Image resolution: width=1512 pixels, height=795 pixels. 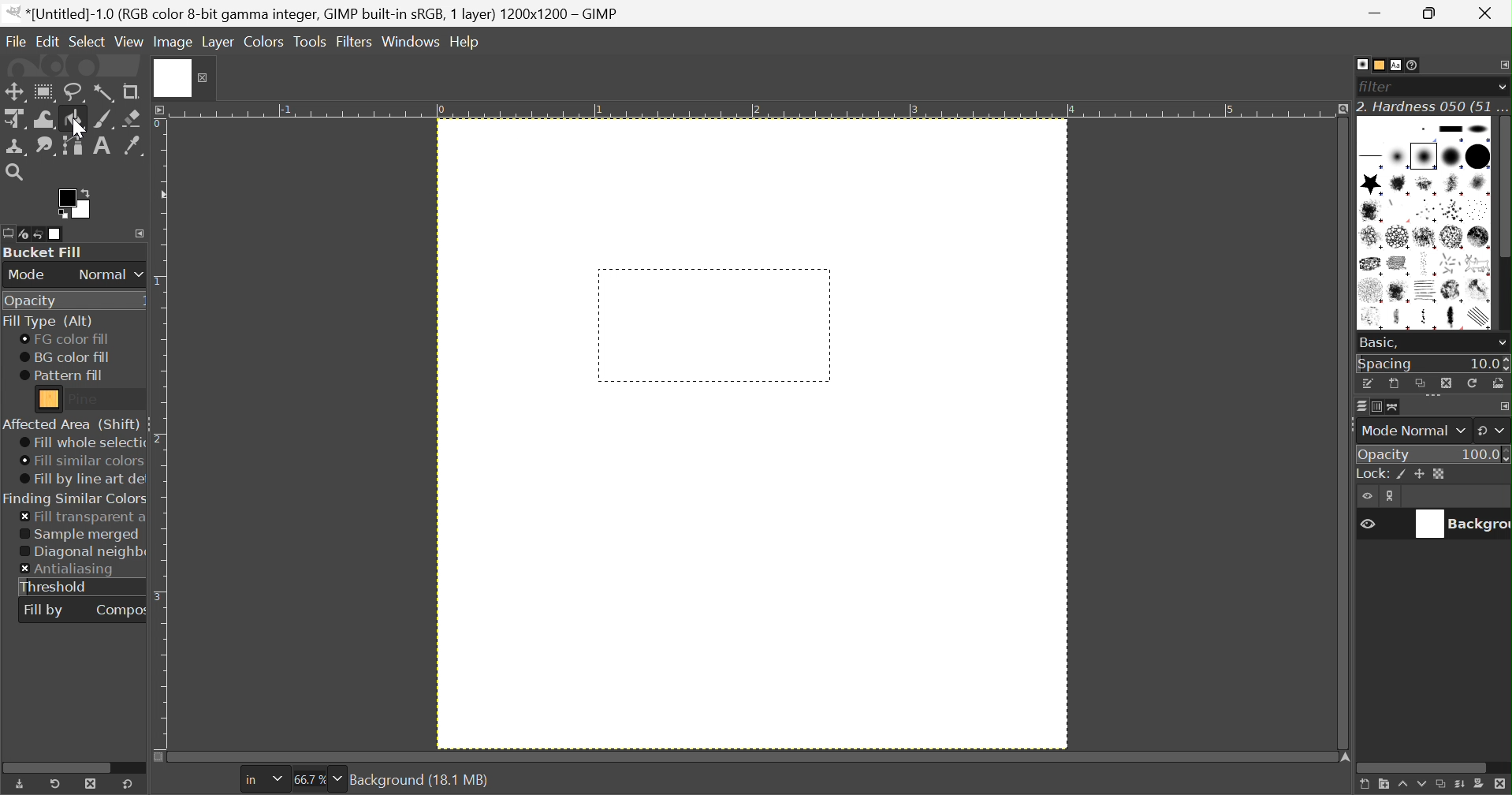 What do you see at coordinates (44, 147) in the screenshot?
I see `Smudge Tool` at bounding box center [44, 147].